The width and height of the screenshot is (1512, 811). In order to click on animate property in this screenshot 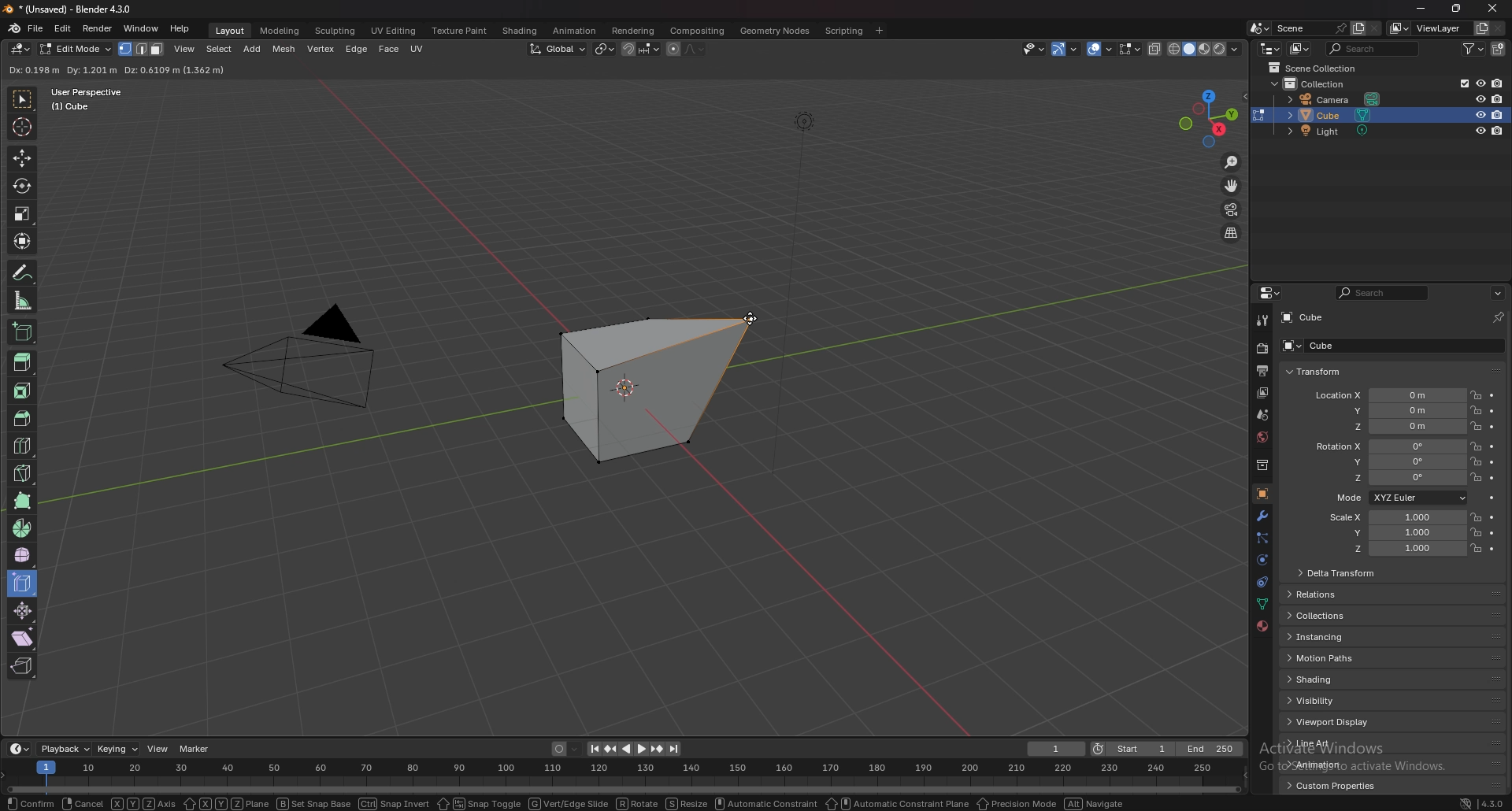, I will do `click(1493, 477)`.